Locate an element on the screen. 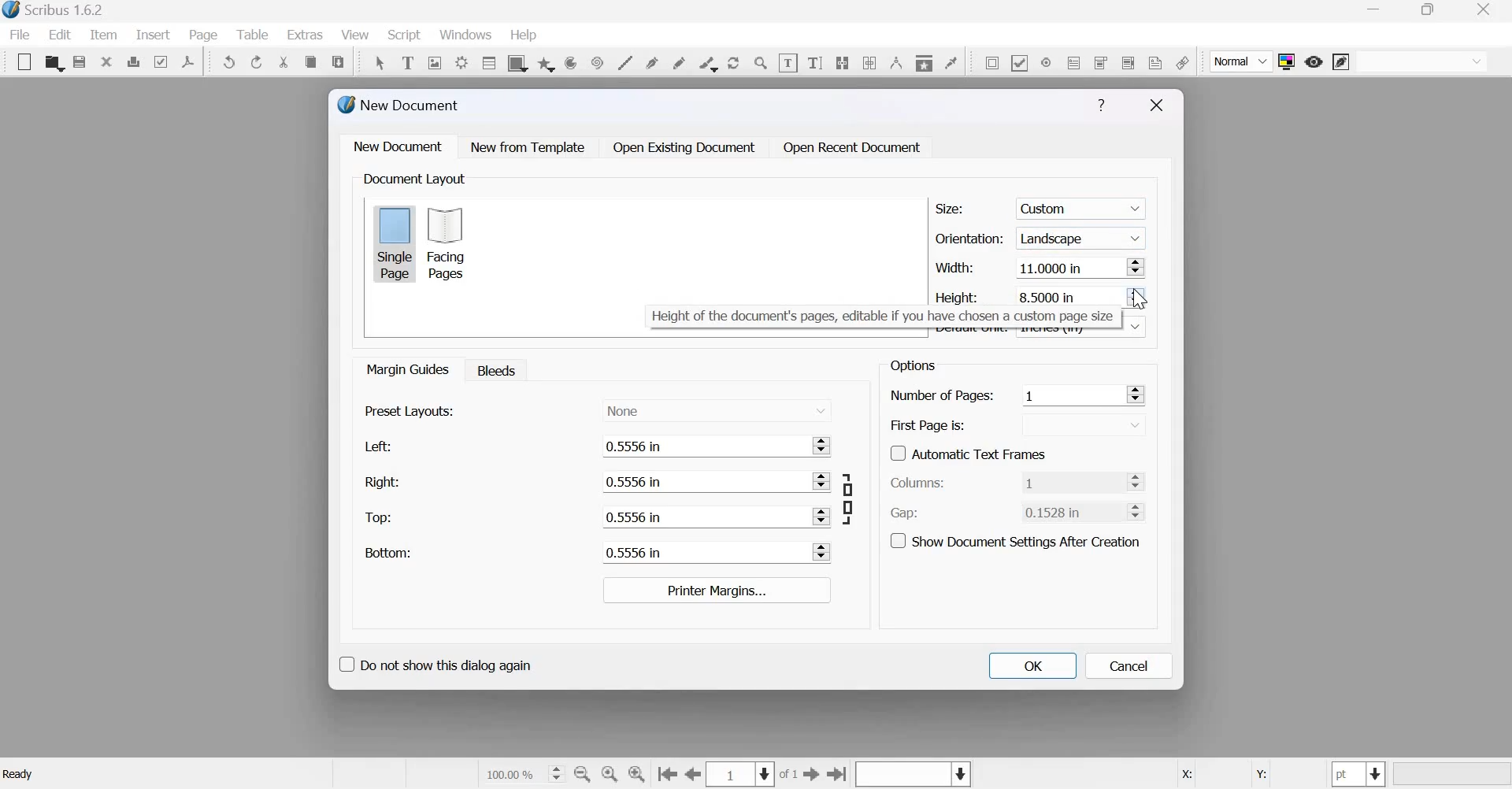 The image size is (1512, 789). page is located at coordinates (204, 35).